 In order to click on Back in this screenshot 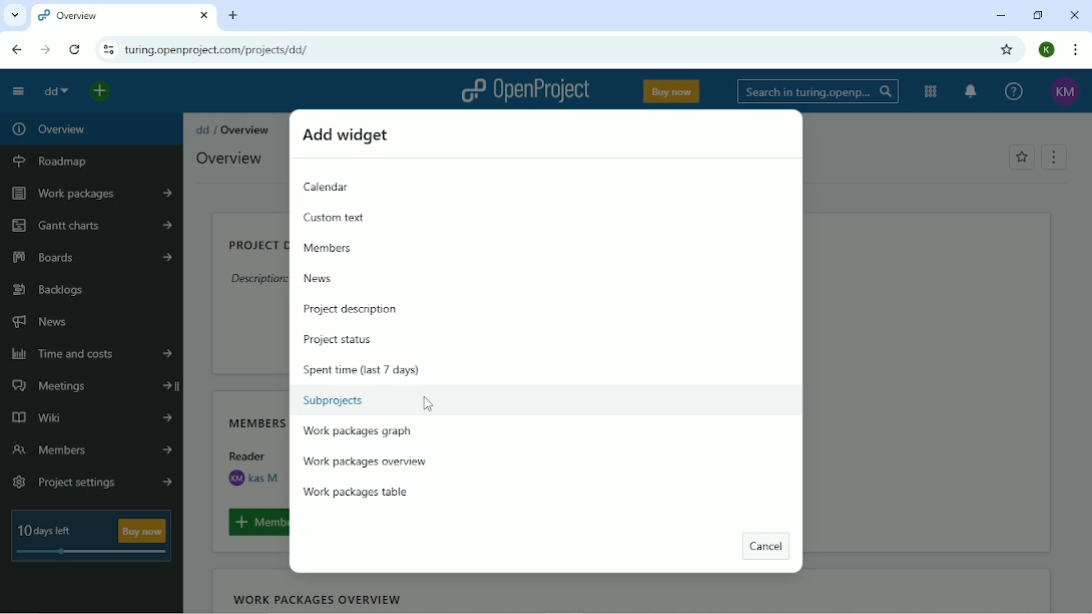, I will do `click(18, 49)`.